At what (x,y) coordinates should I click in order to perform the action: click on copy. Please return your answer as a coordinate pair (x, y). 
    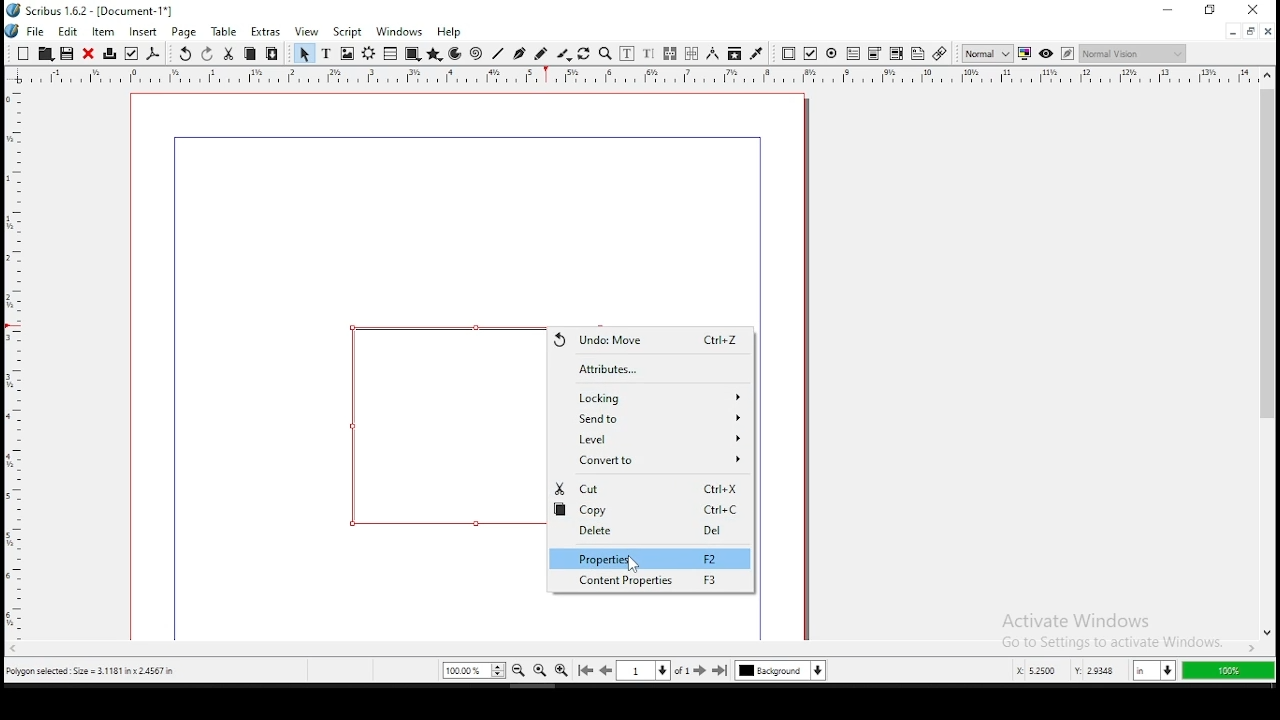
    Looking at the image, I should click on (649, 509).